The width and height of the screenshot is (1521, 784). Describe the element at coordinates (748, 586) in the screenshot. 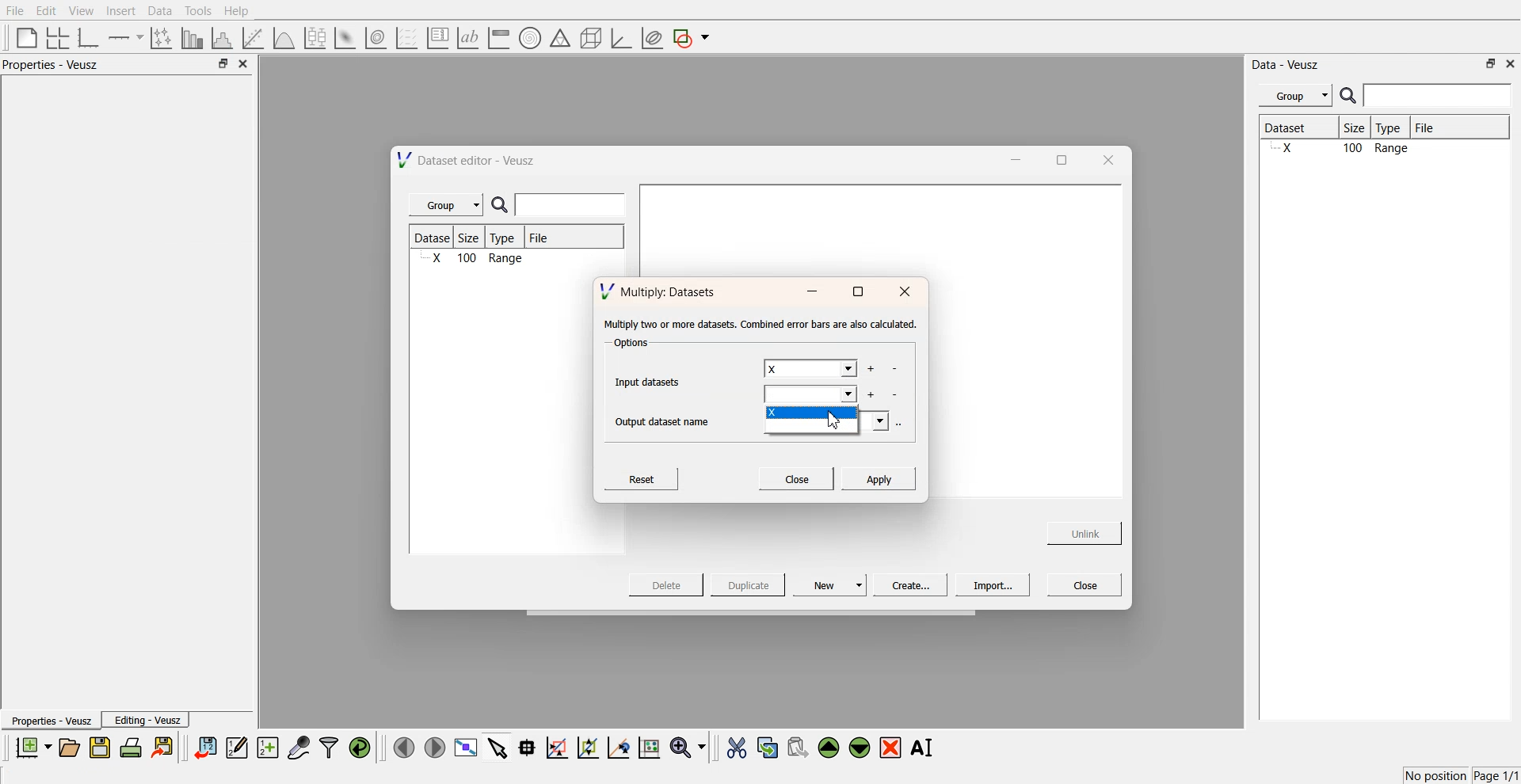

I see `Duplicate` at that location.